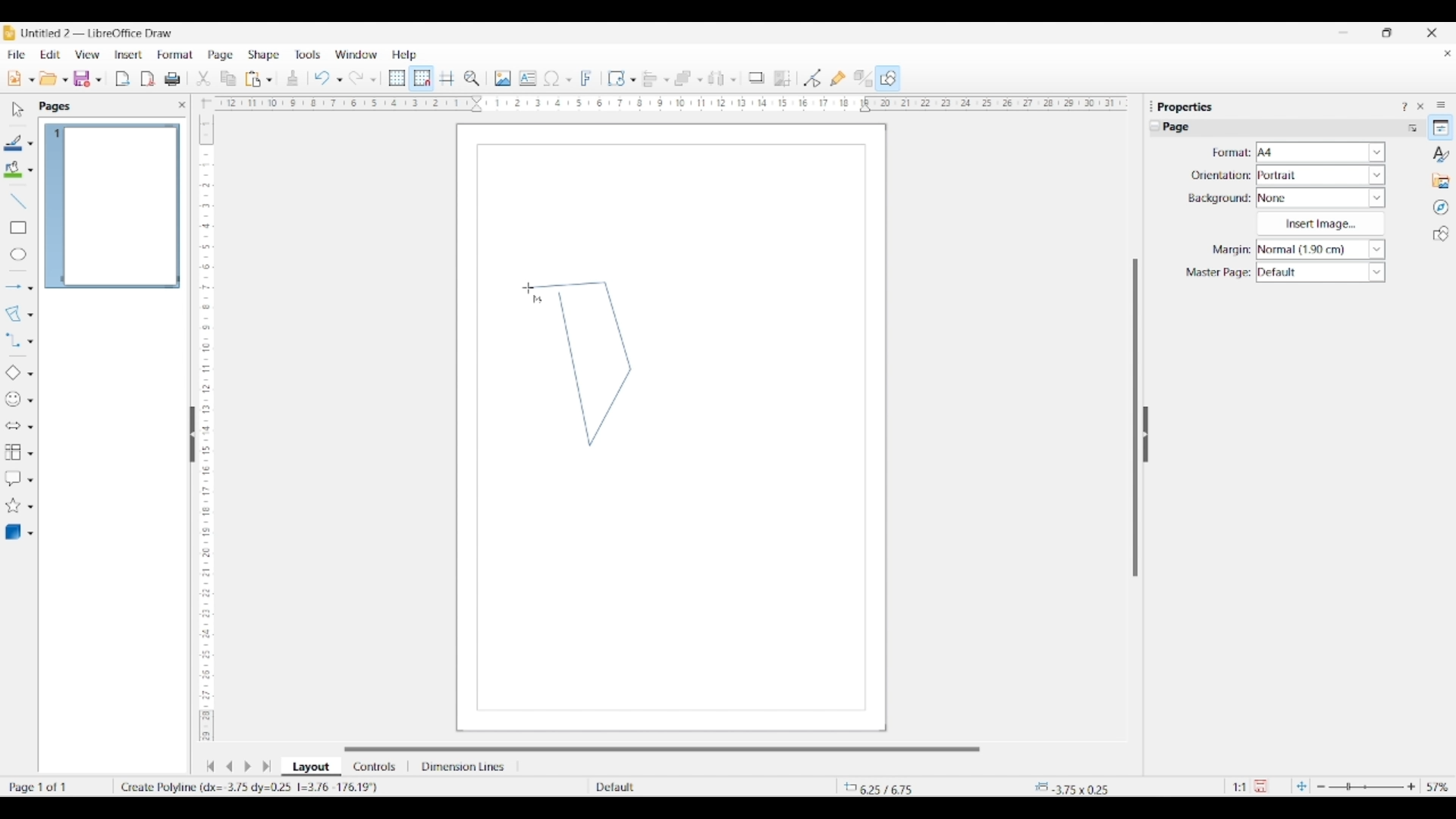 Image resolution: width=1456 pixels, height=819 pixels. I want to click on Select objects to distribute options, so click(733, 80).